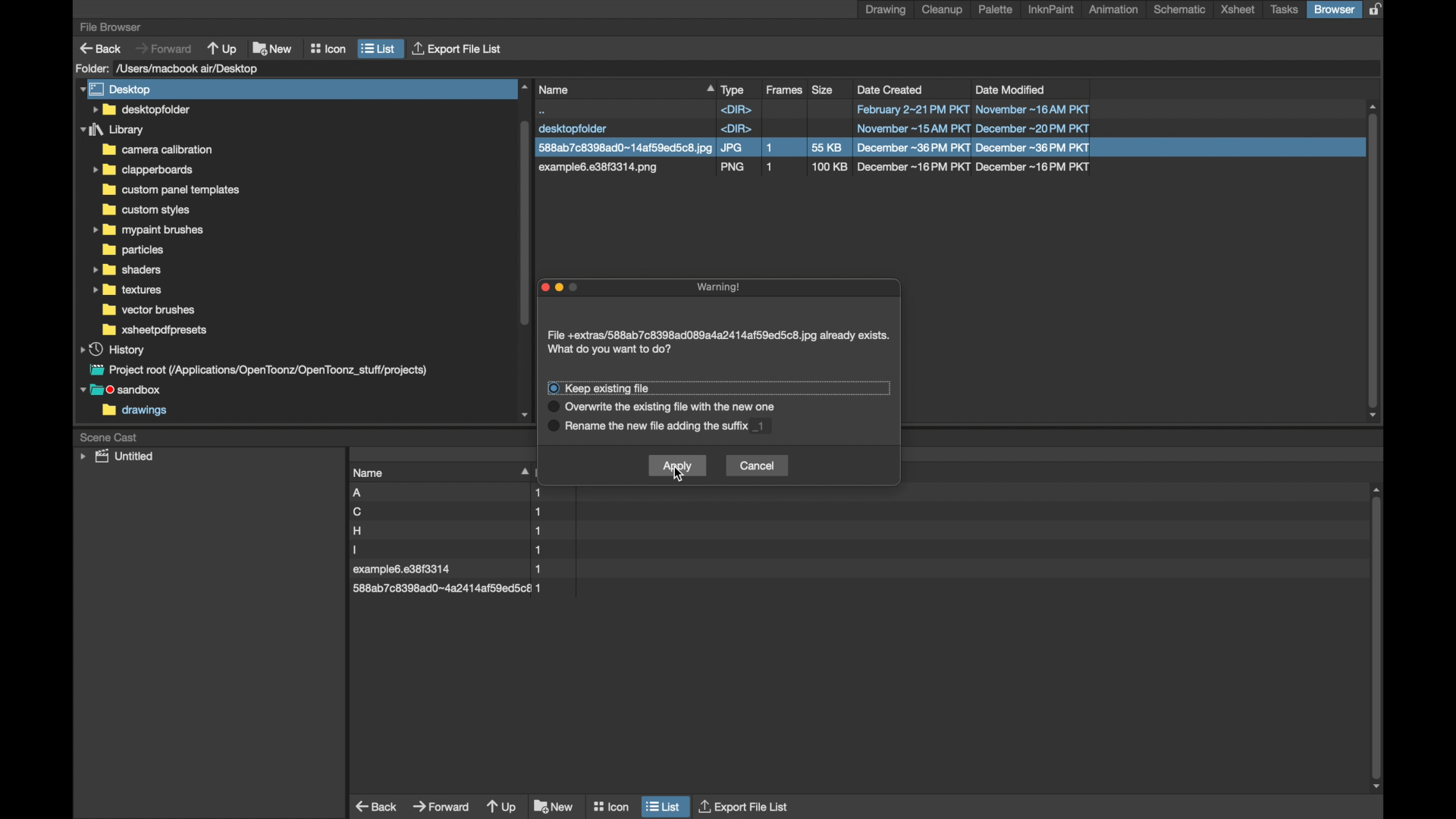 The image size is (1456, 819). What do you see at coordinates (110, 27) in the screenshot?
I see `file browser` at bounding box center [110, 27].